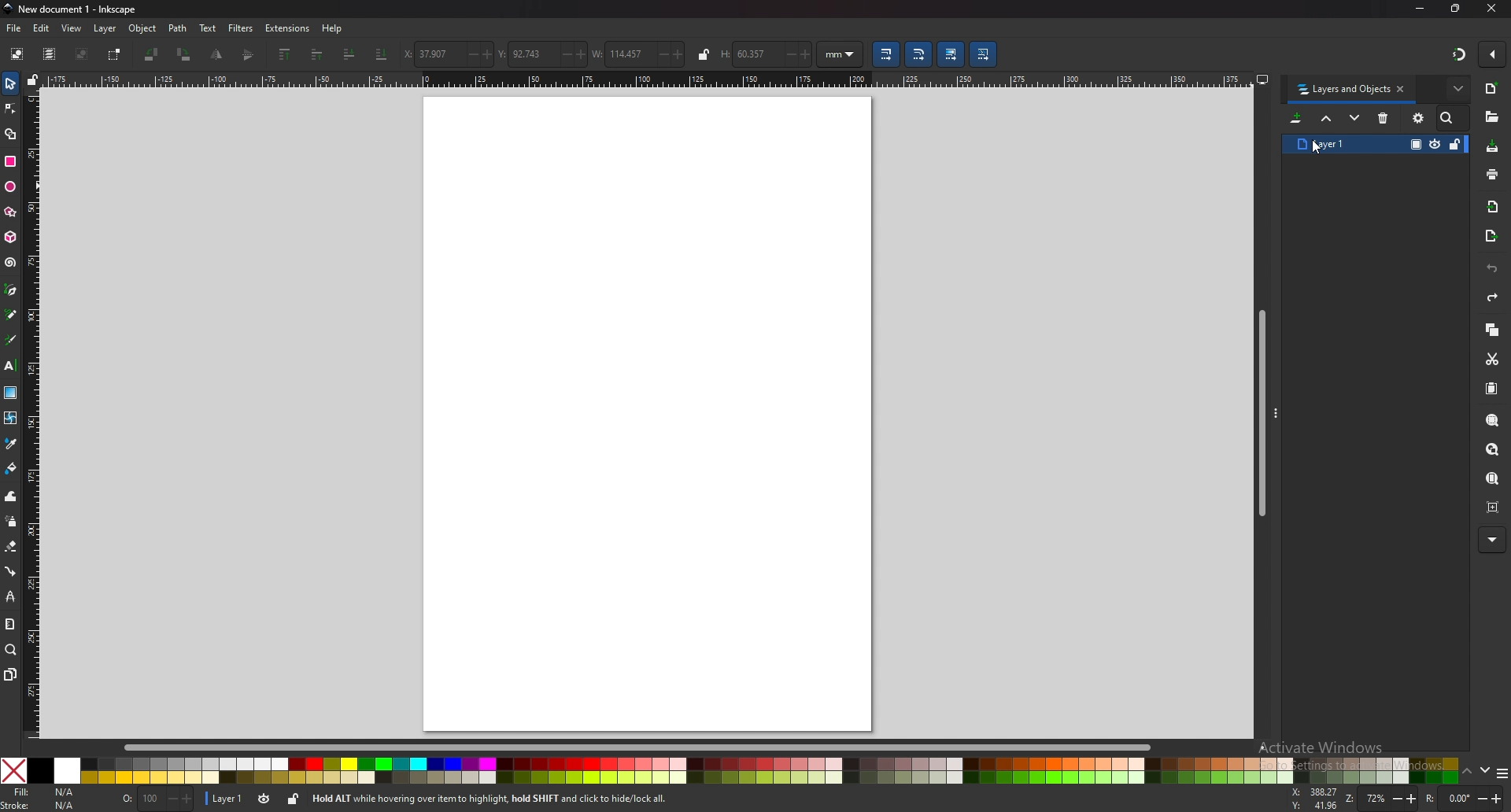  I want to click on rectangle, so click(10, 161).